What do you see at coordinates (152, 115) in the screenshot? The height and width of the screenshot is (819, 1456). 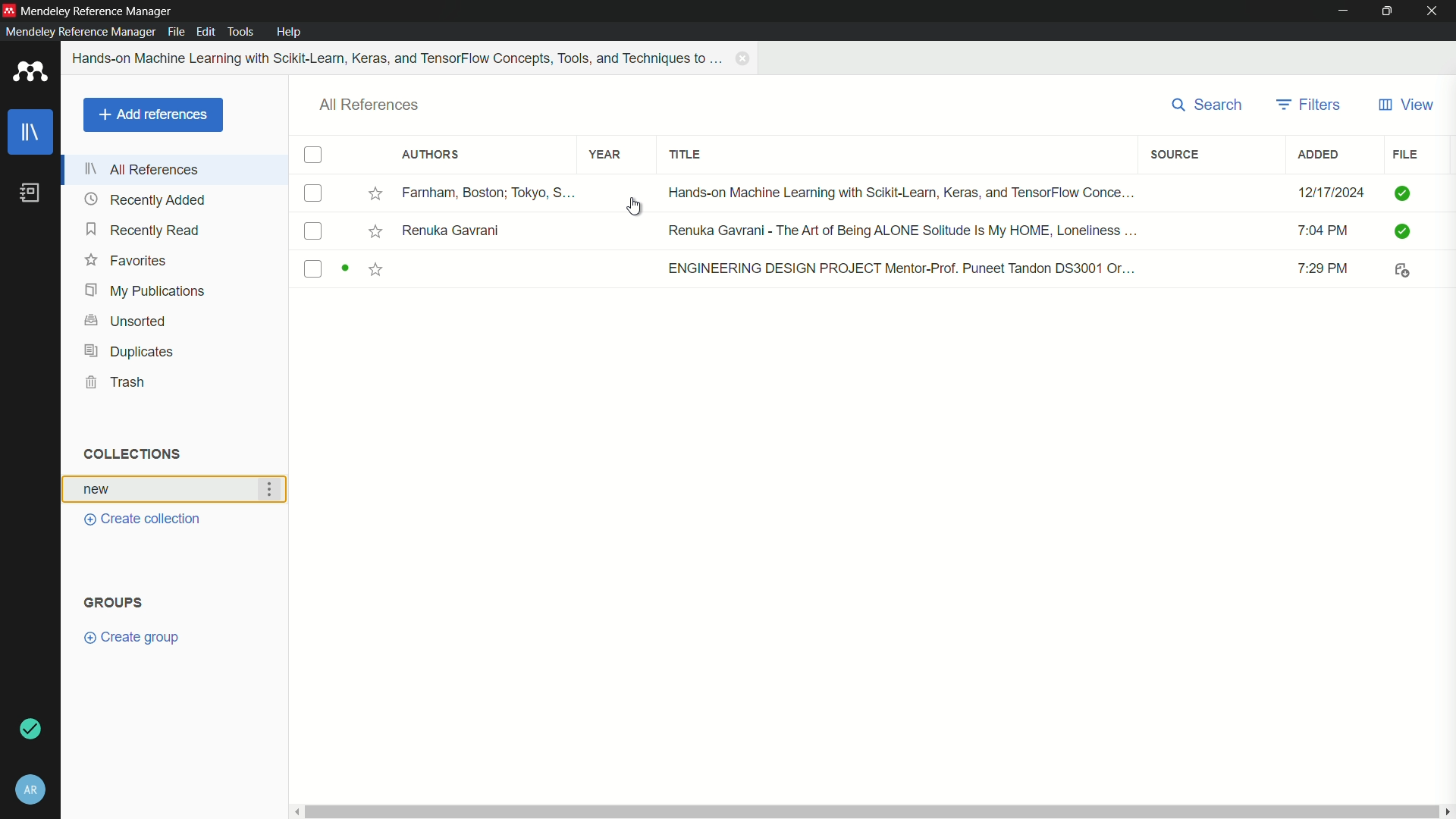 I see `add references` at bounding box center [152, 115].